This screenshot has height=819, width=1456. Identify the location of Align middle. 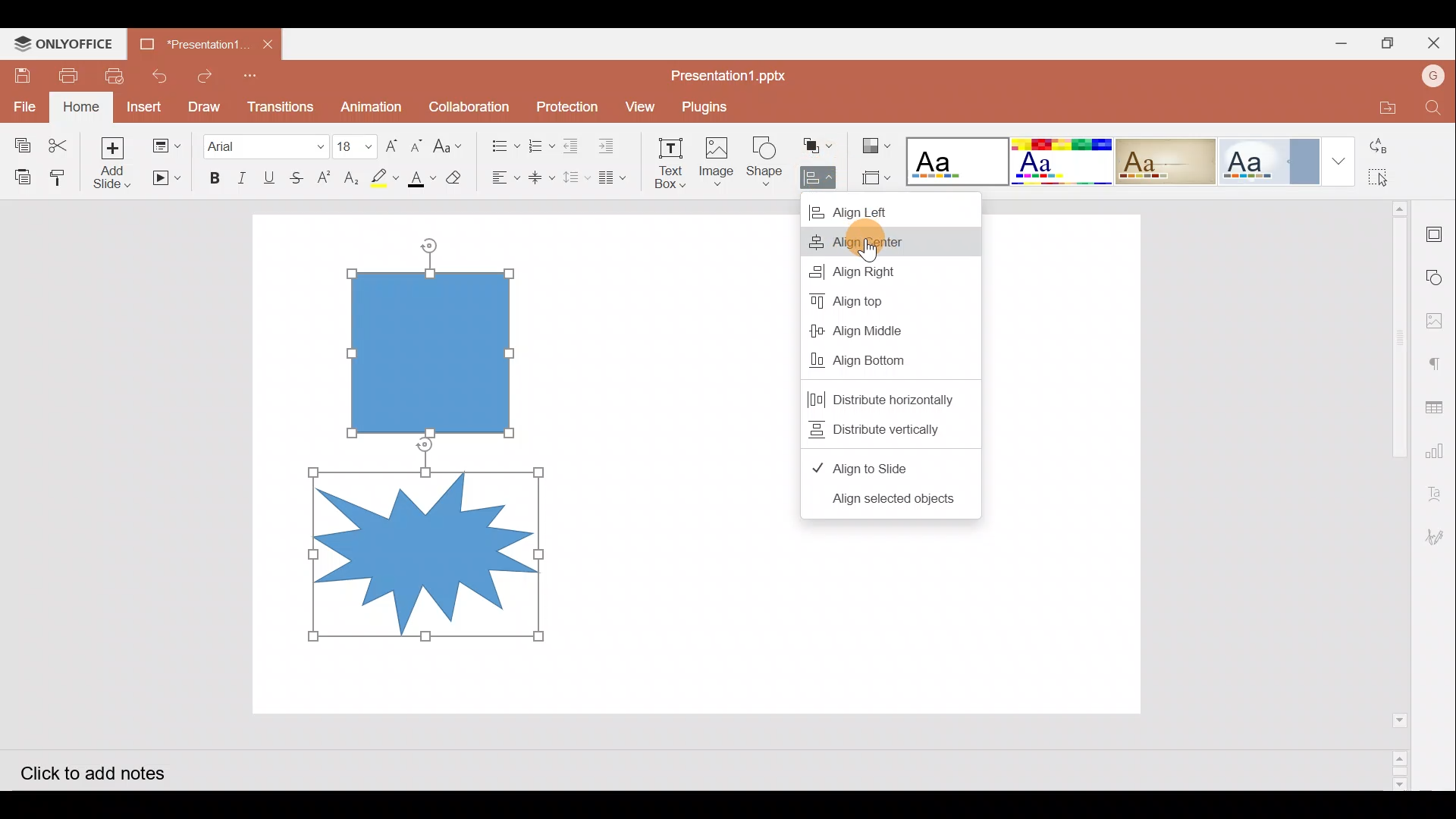
(879, 328).